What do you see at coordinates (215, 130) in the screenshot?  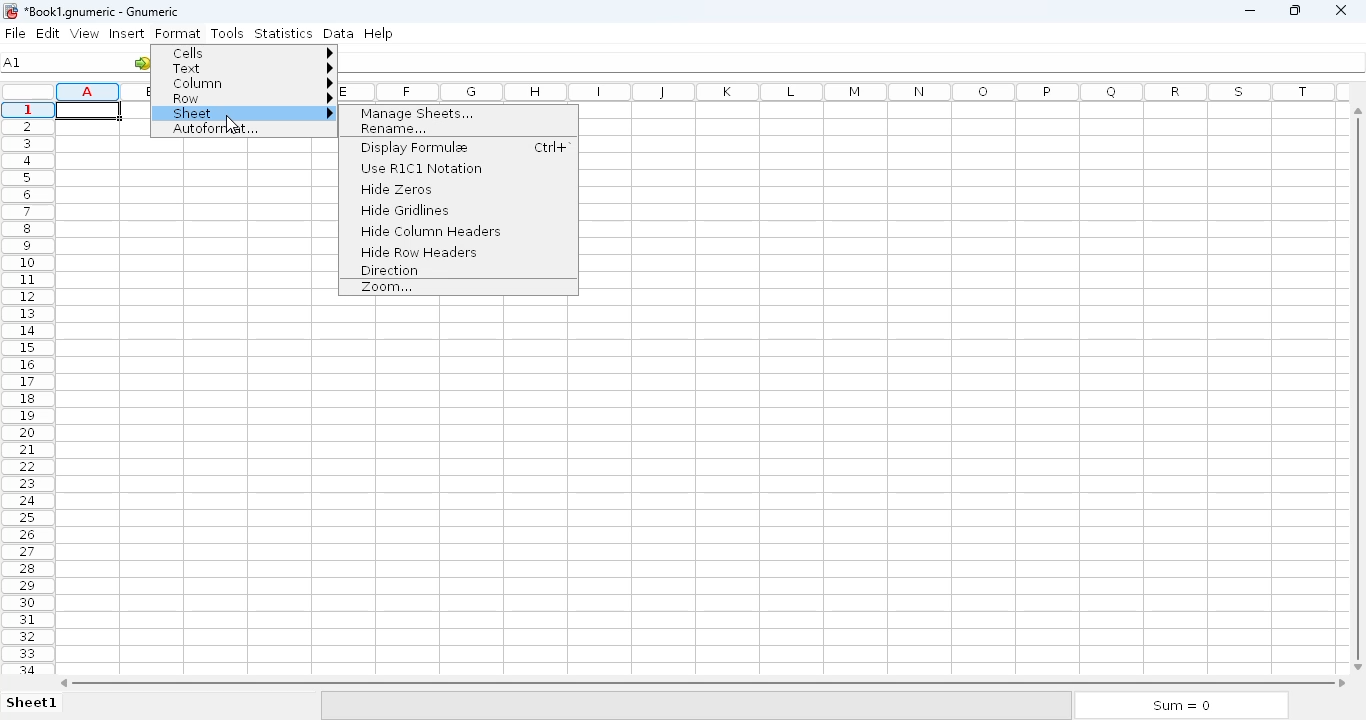 I see `autoformat` at bounding box center [215, 130].